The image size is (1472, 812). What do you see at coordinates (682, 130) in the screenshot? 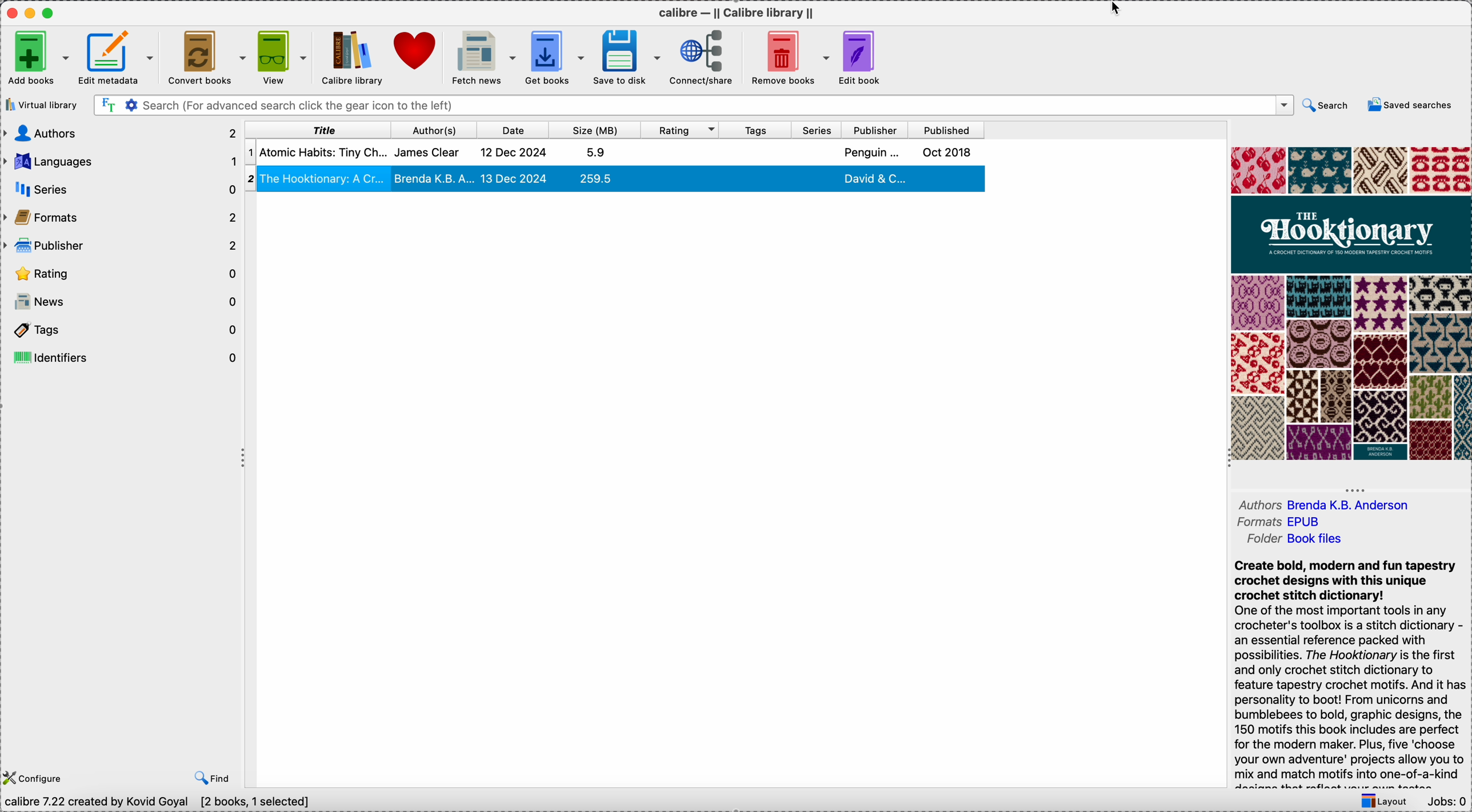
I see `rating` at bounding box center [682, 130].